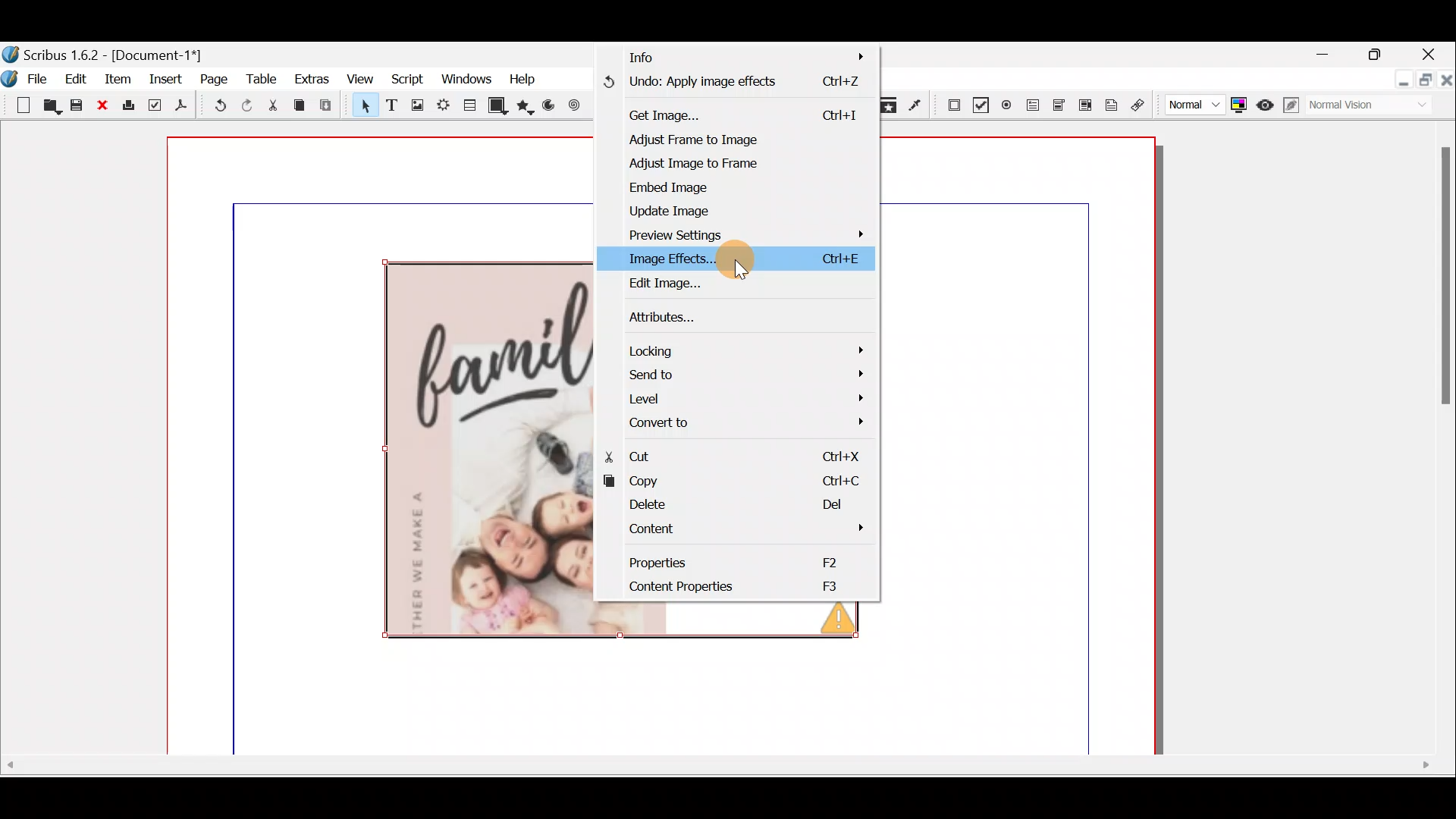 The height and width of the screenshot is (819, 1456). Describe the element at coordinates (1112, 108) in the screenshot. I see `Text annotation` at that location.